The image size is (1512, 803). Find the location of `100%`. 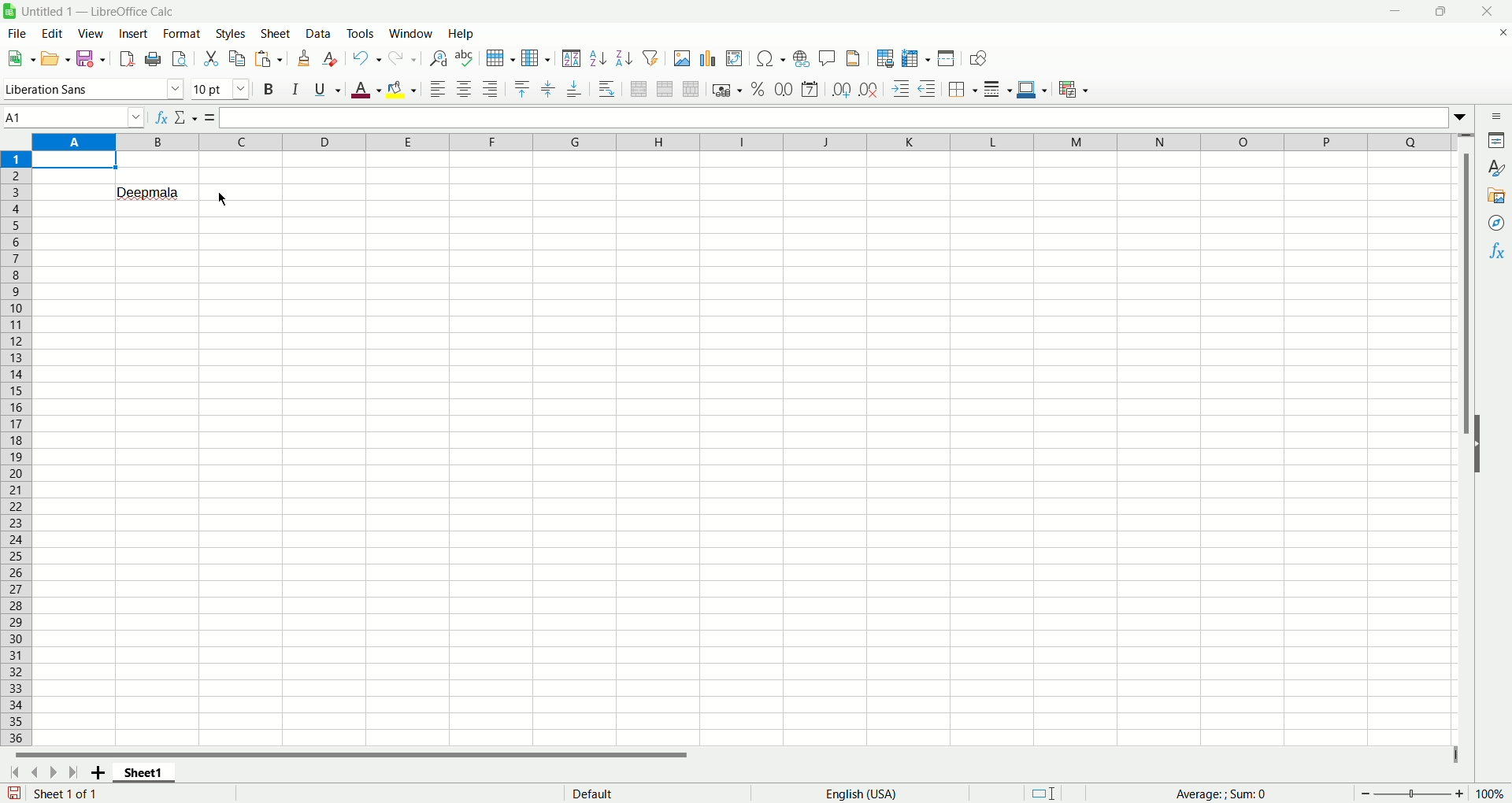

100% is located at coordinates (1489, 794).